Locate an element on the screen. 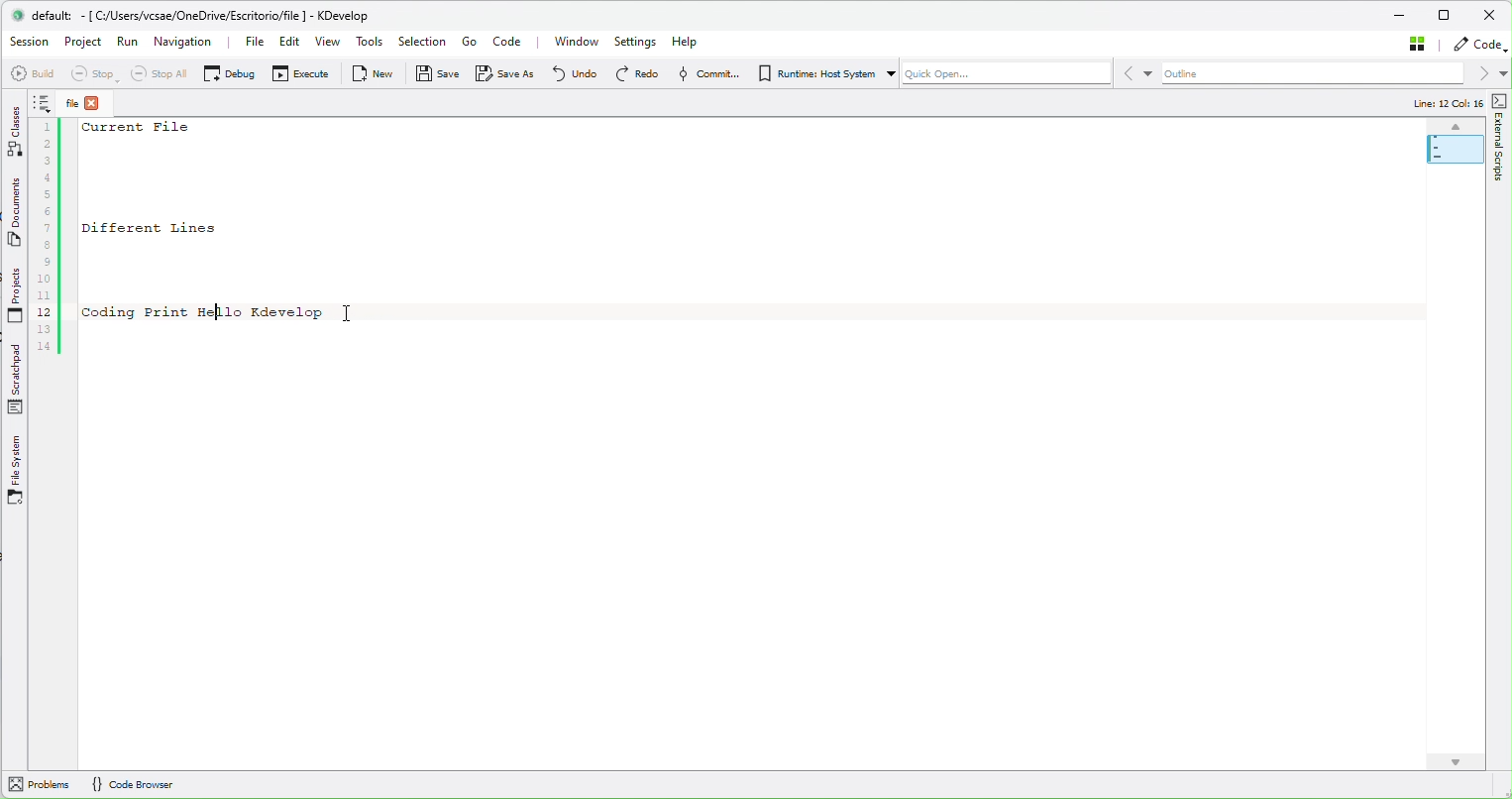  Quickopen is located at coordinates (1005, 76).